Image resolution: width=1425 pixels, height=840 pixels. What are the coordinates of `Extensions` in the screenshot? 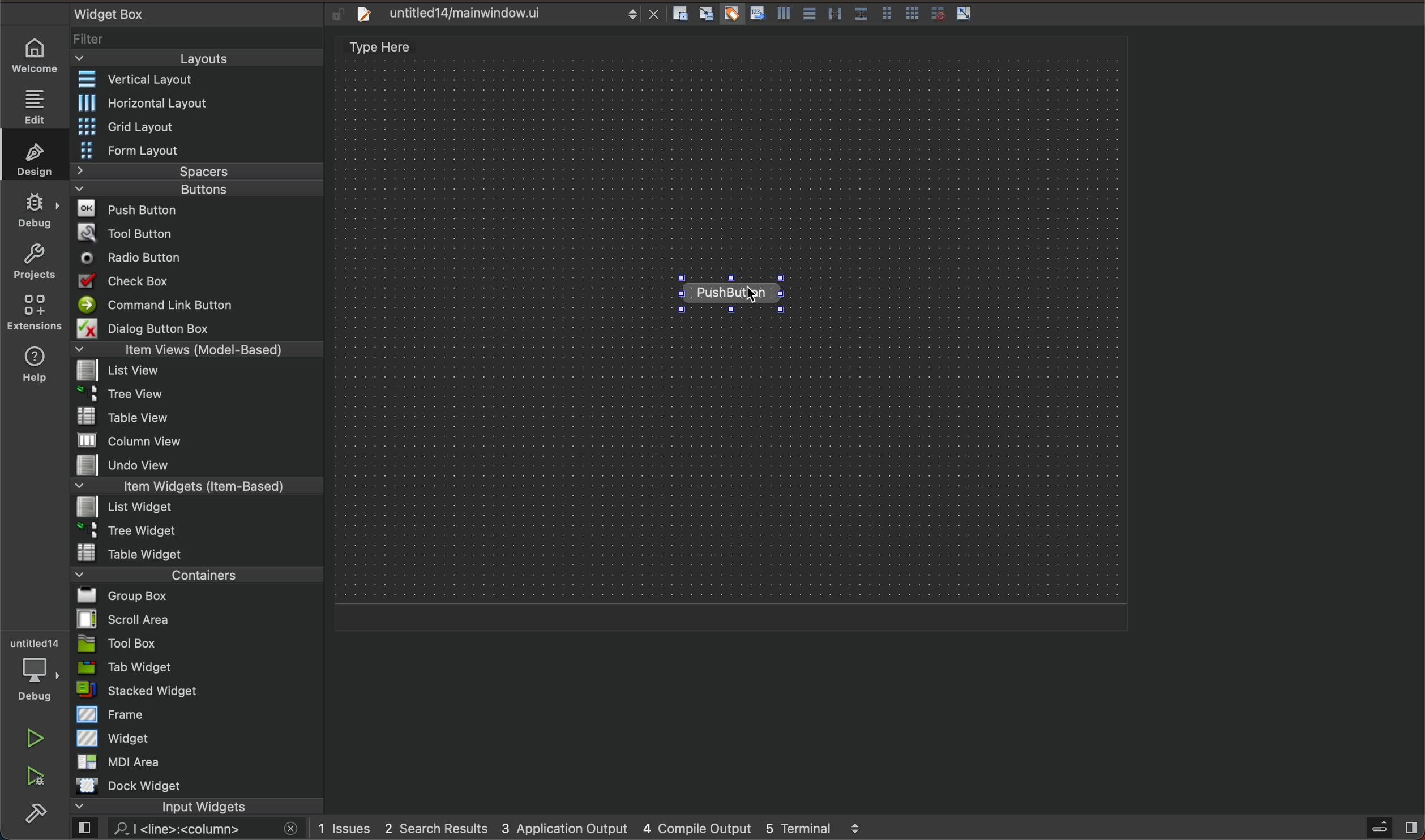 It's located at (31, 312).